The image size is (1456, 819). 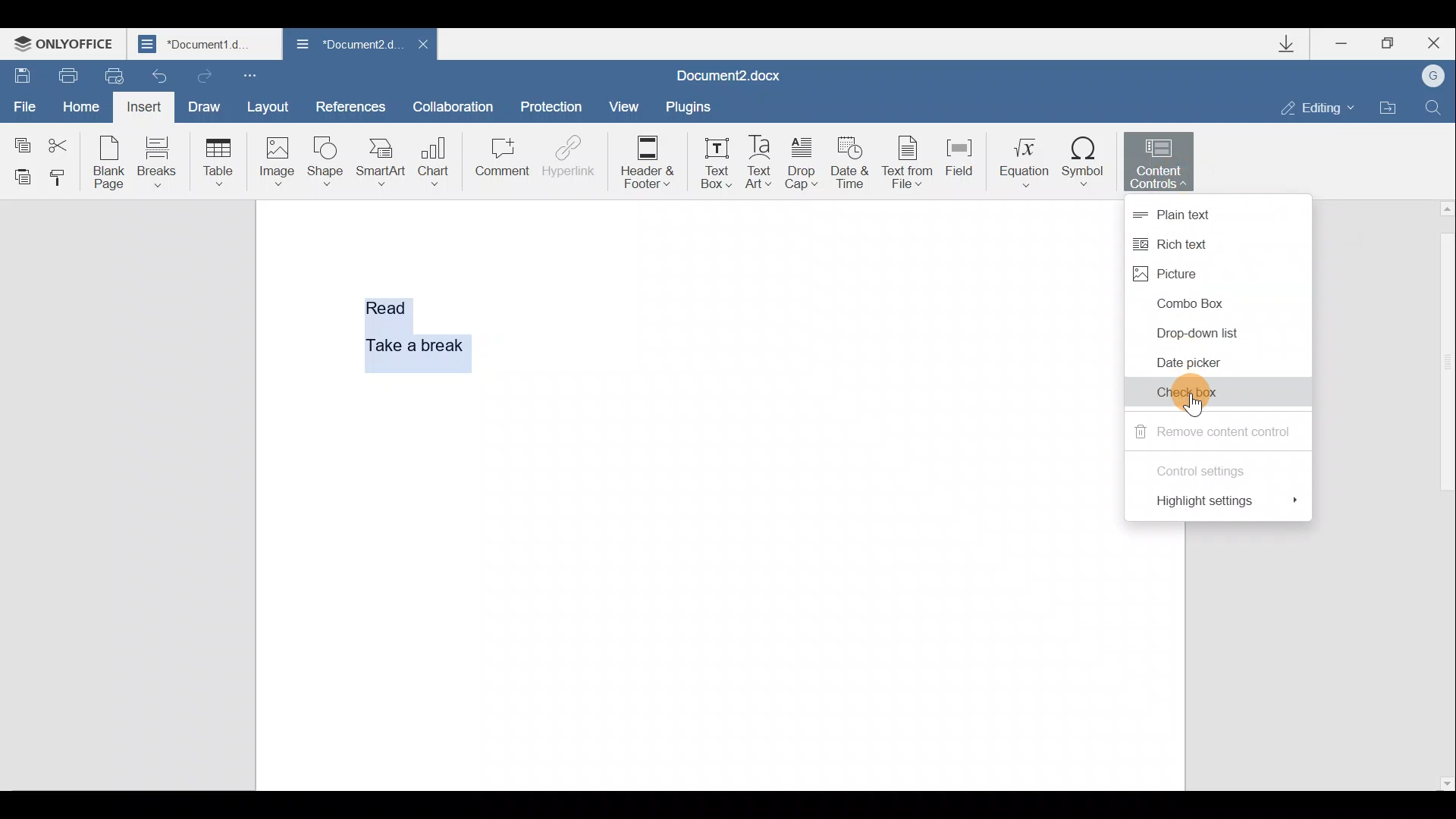 What do you see at coordinates (215, 159) in the screenshot?
I see `Table` at bounding box center [215, 159].